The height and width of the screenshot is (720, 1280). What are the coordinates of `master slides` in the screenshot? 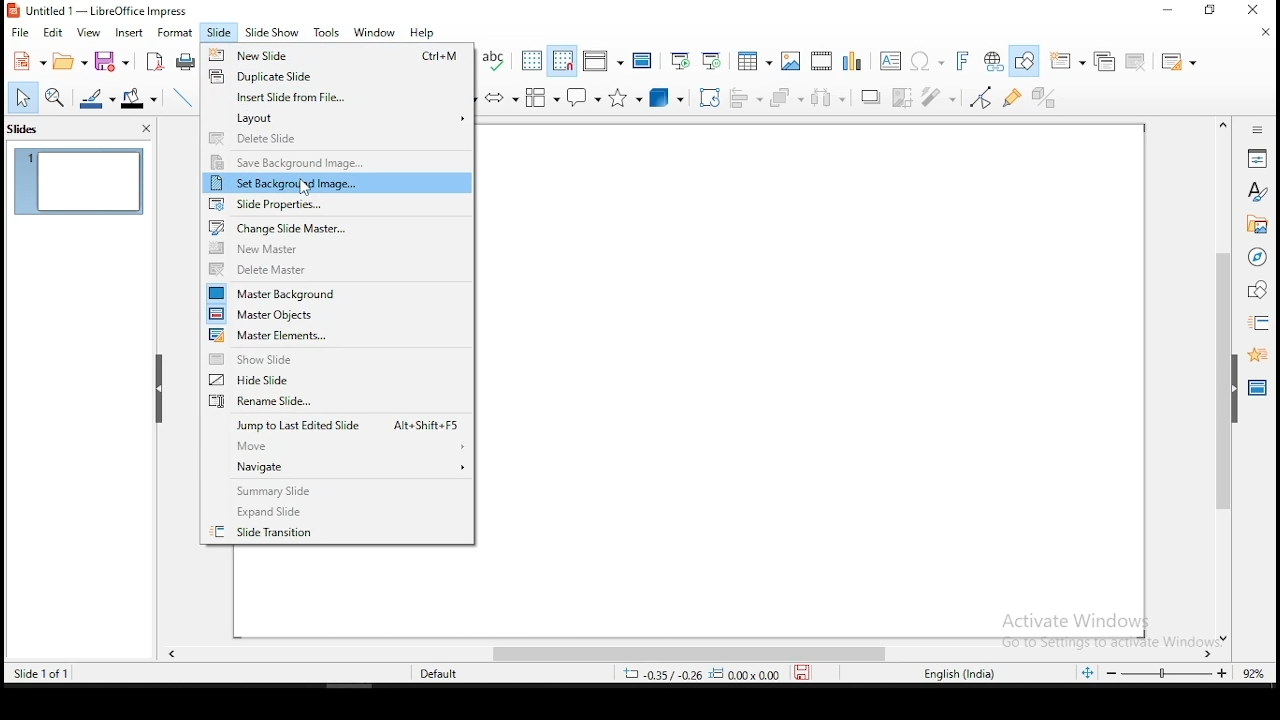 It's located at (1257, 388).